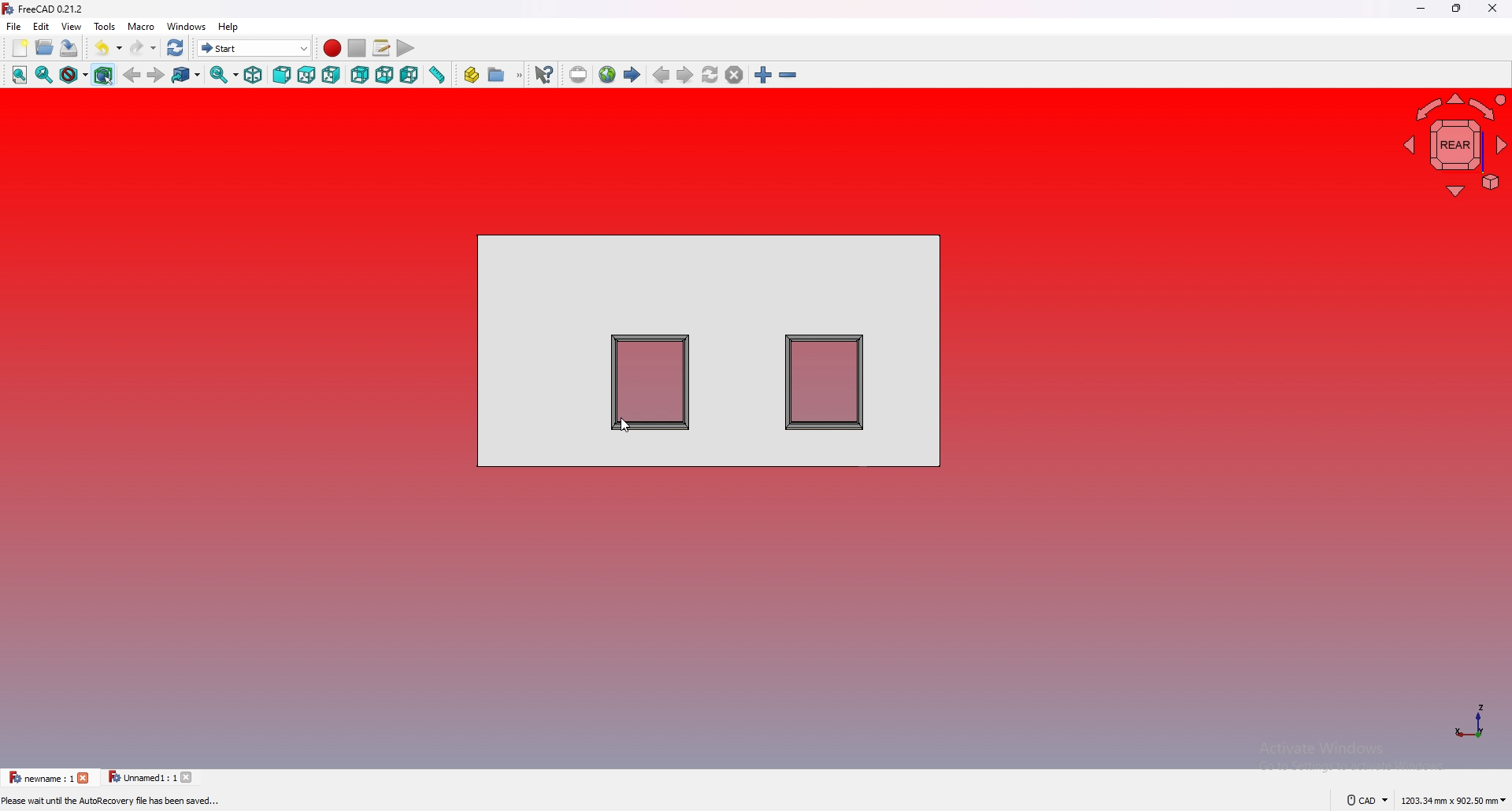 The image size is (1512, 811). What do you see at coordinates (20, 76) in the screenshot?
I see `fit all` at bounding box center [20, 76].